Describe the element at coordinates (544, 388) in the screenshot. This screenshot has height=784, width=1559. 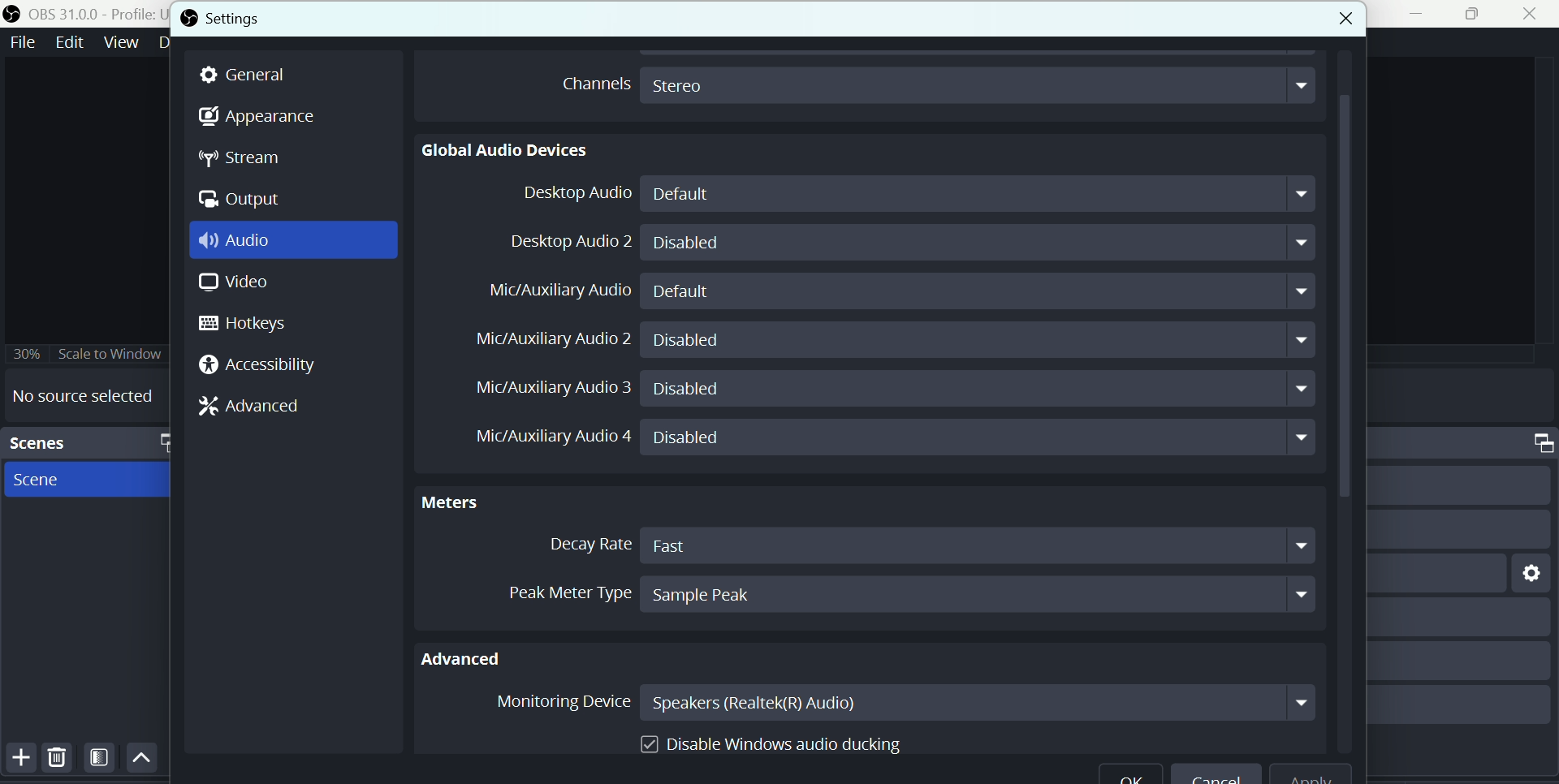
I see `Mic/Auxiliary Audio 3` at that location.